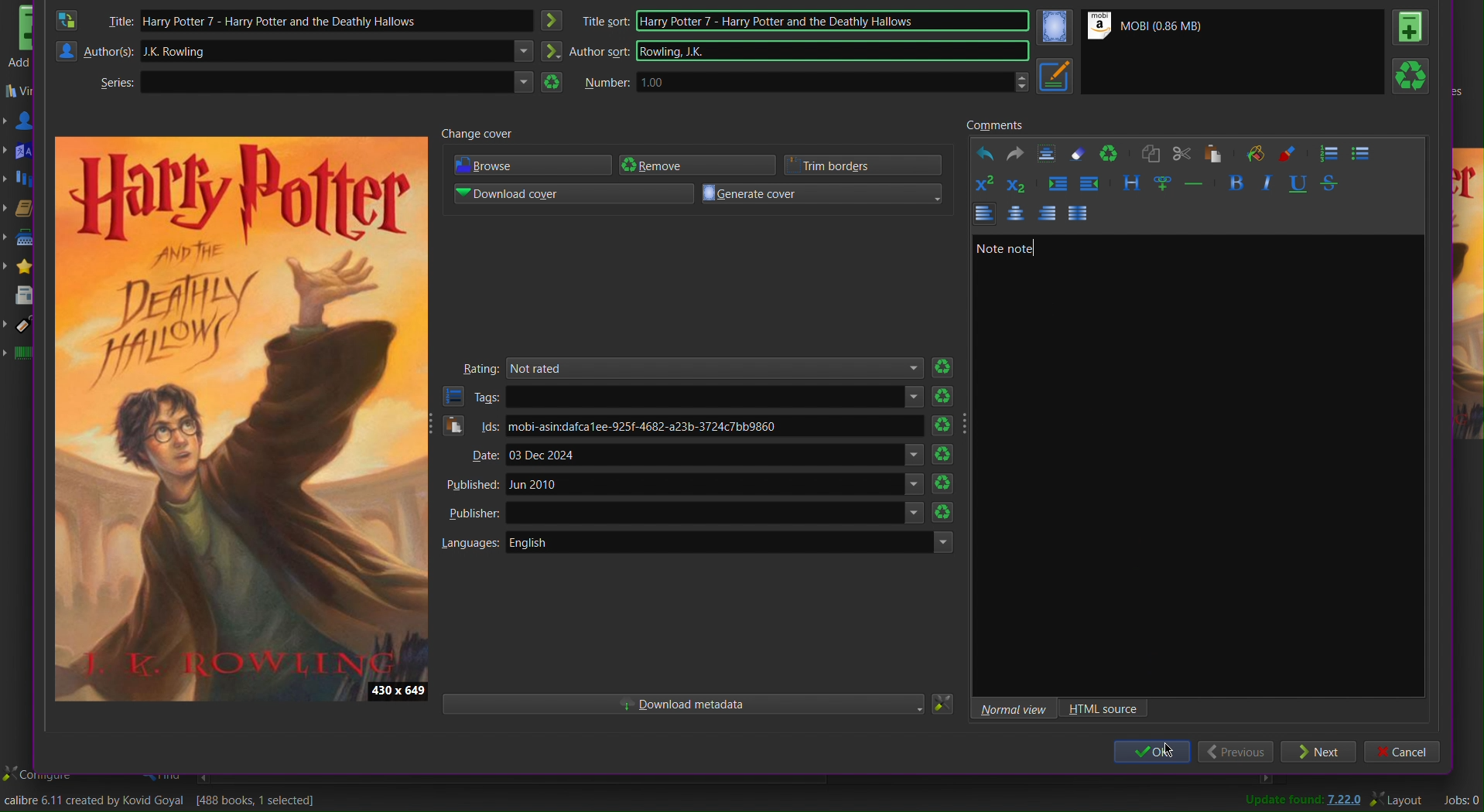  I want to click on Next, so click(1317, 752).